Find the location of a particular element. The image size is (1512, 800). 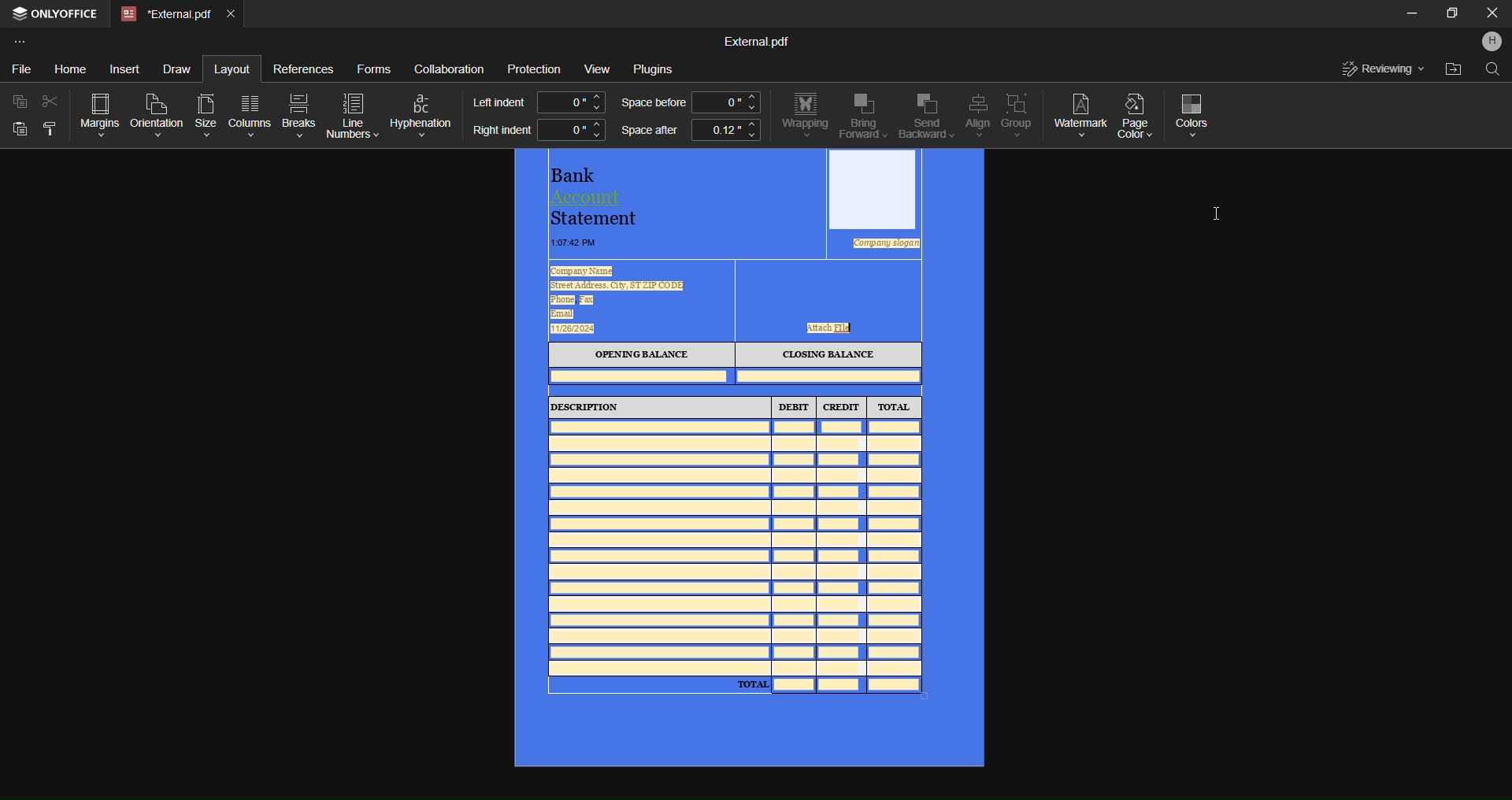

Insert is located at coordinates (128, 69).